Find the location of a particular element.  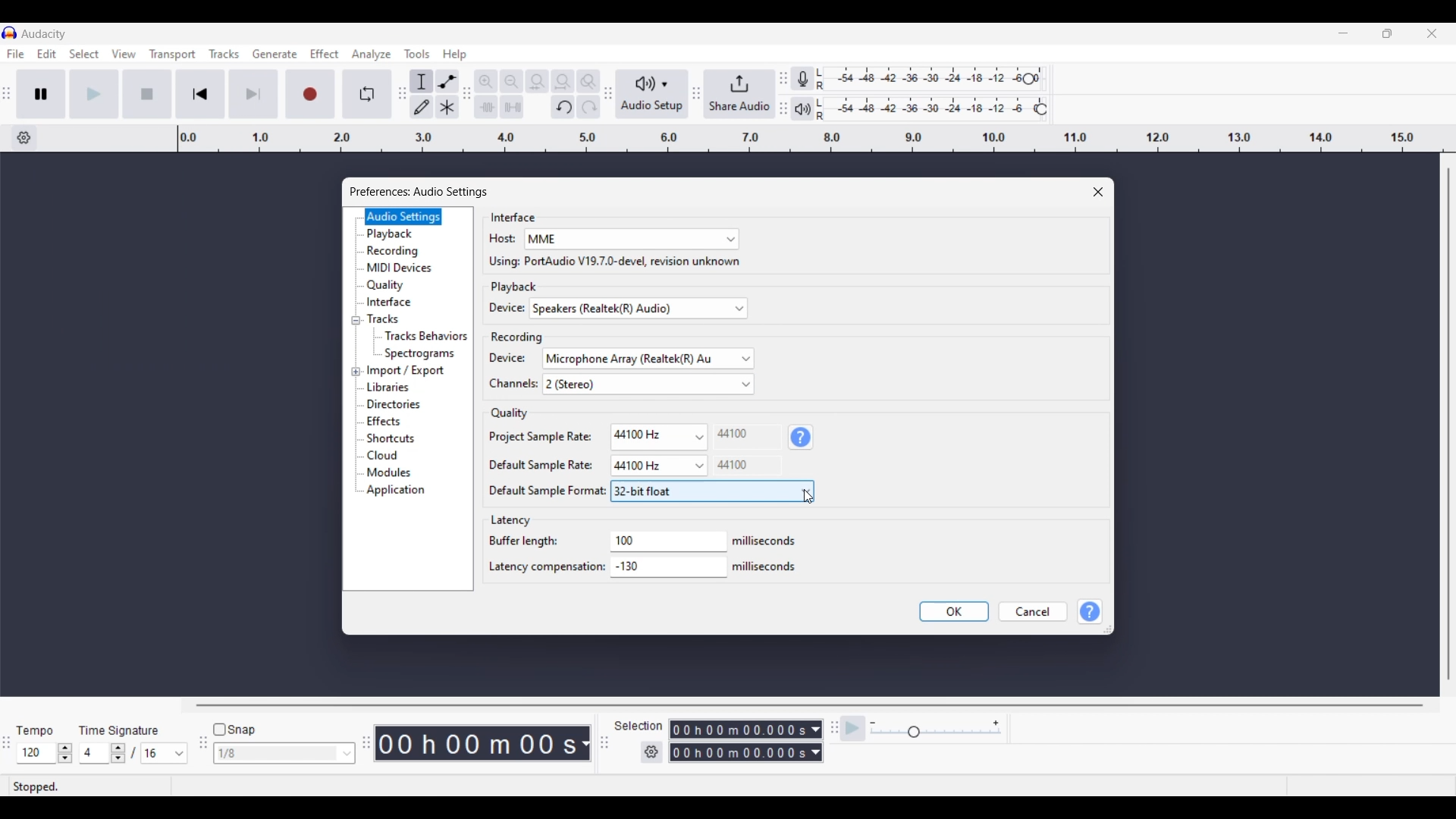

Change recording level is located at coordinates (1028, 78).